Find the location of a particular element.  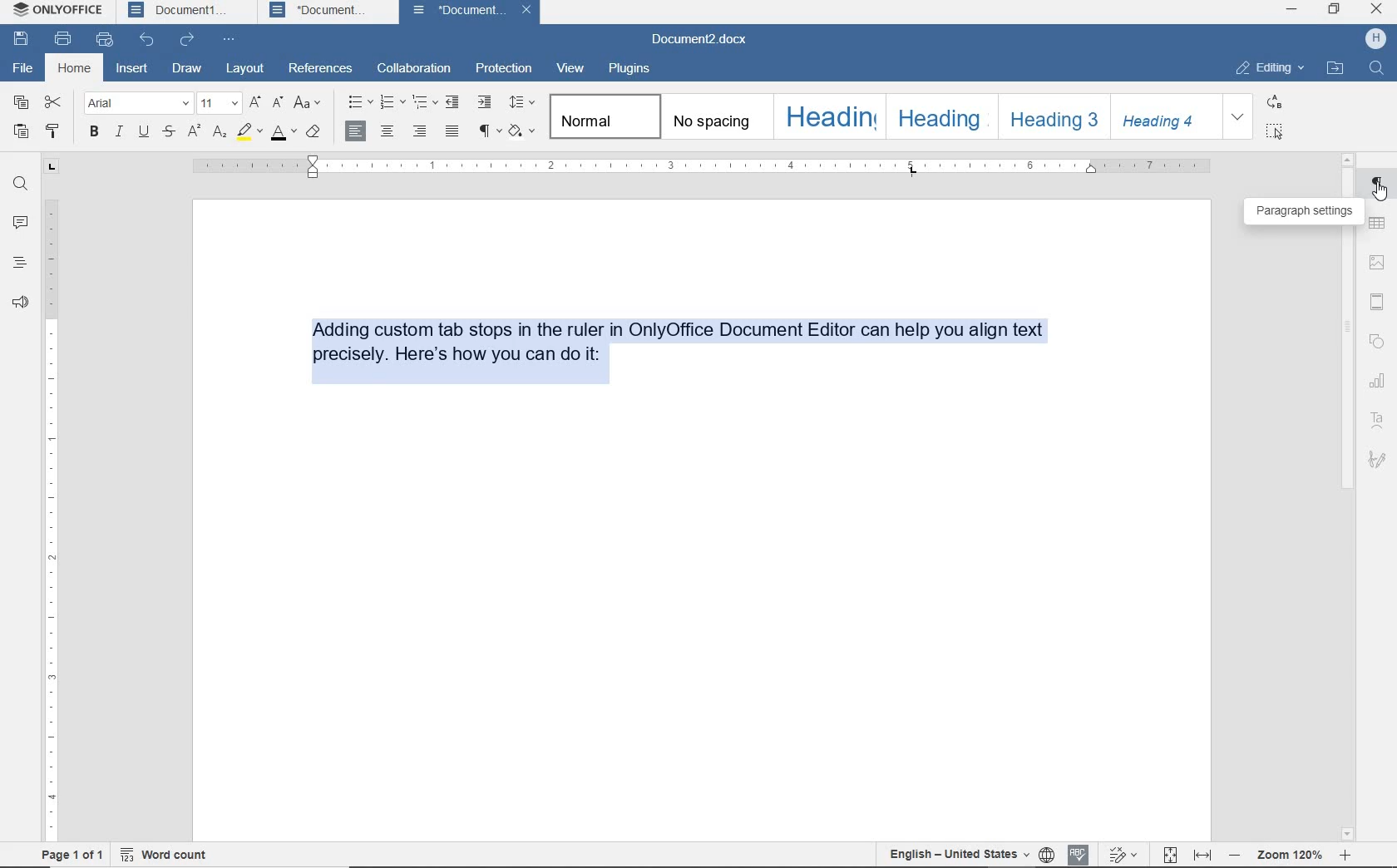

shading is located at coordinates (521, 131).